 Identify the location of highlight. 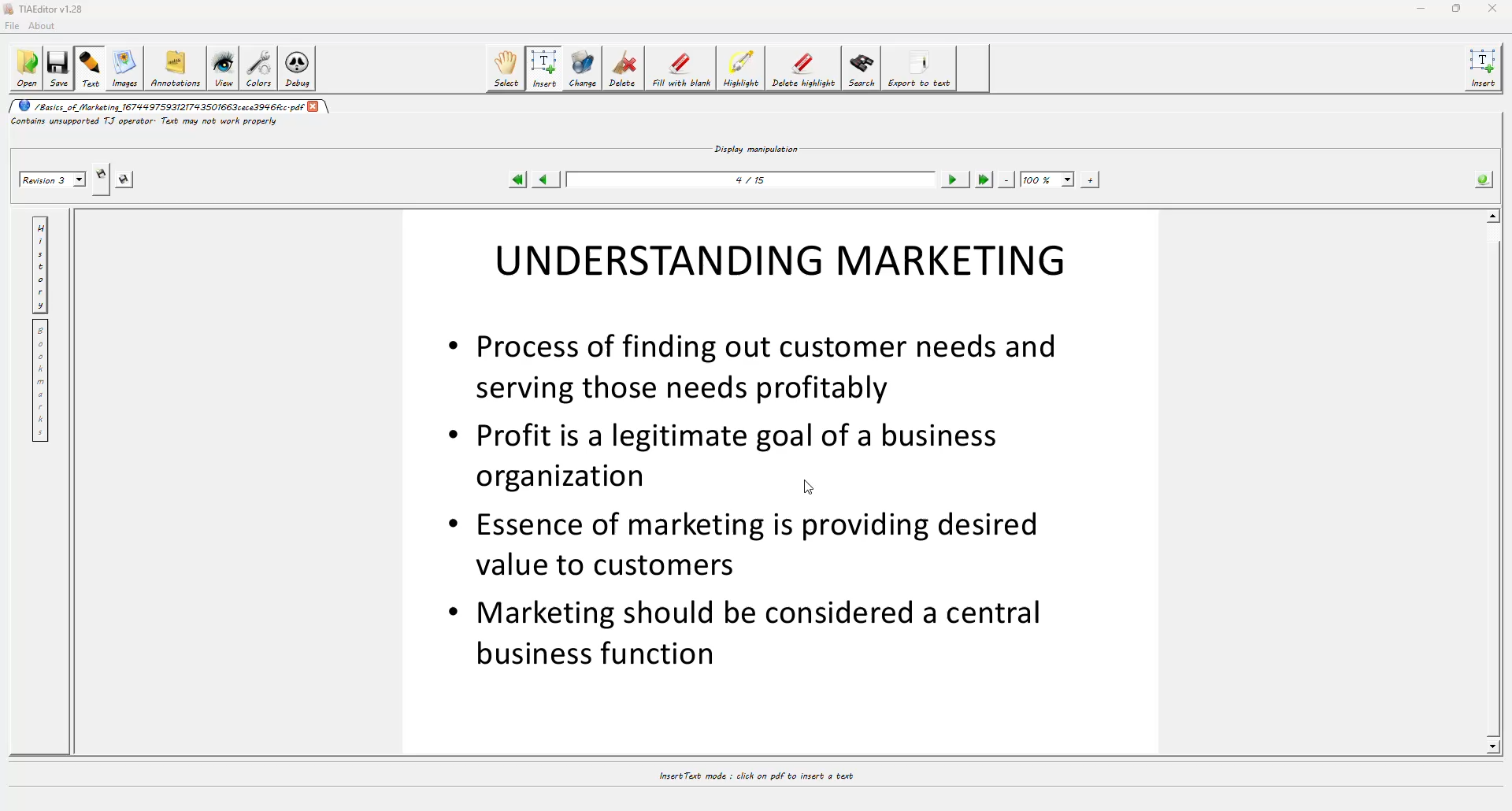
(741, 69).